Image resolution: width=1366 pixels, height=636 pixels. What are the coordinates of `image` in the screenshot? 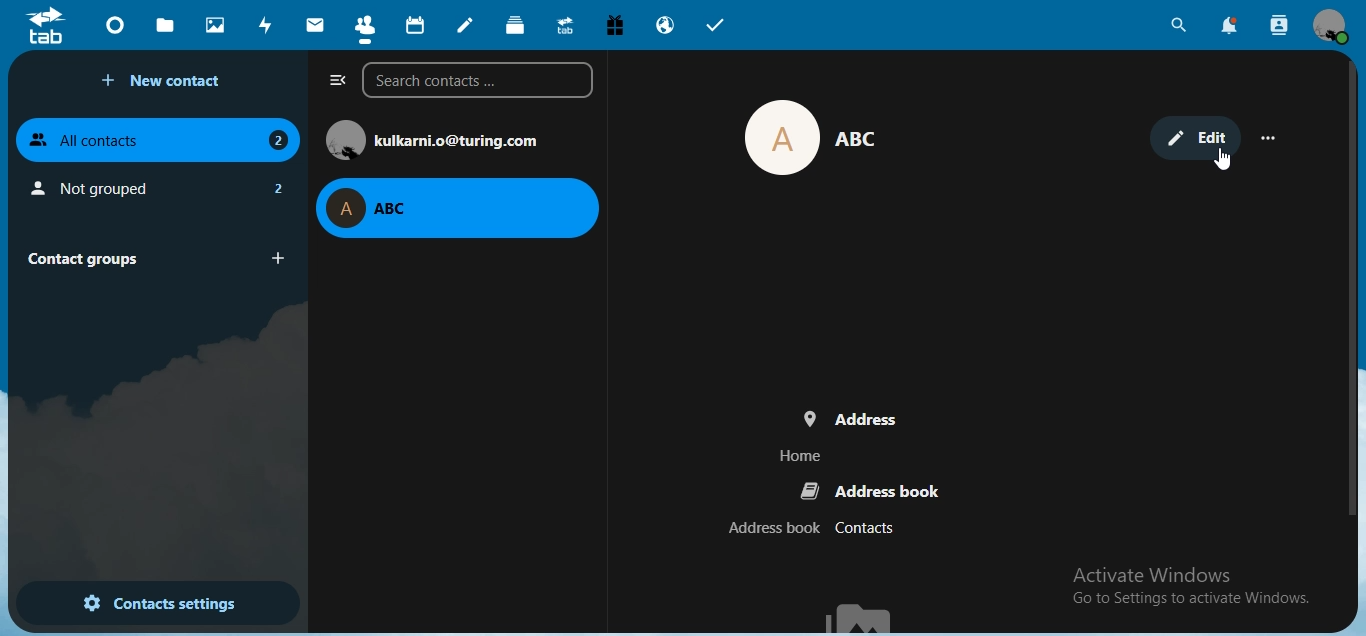 It's located at (866, 614).